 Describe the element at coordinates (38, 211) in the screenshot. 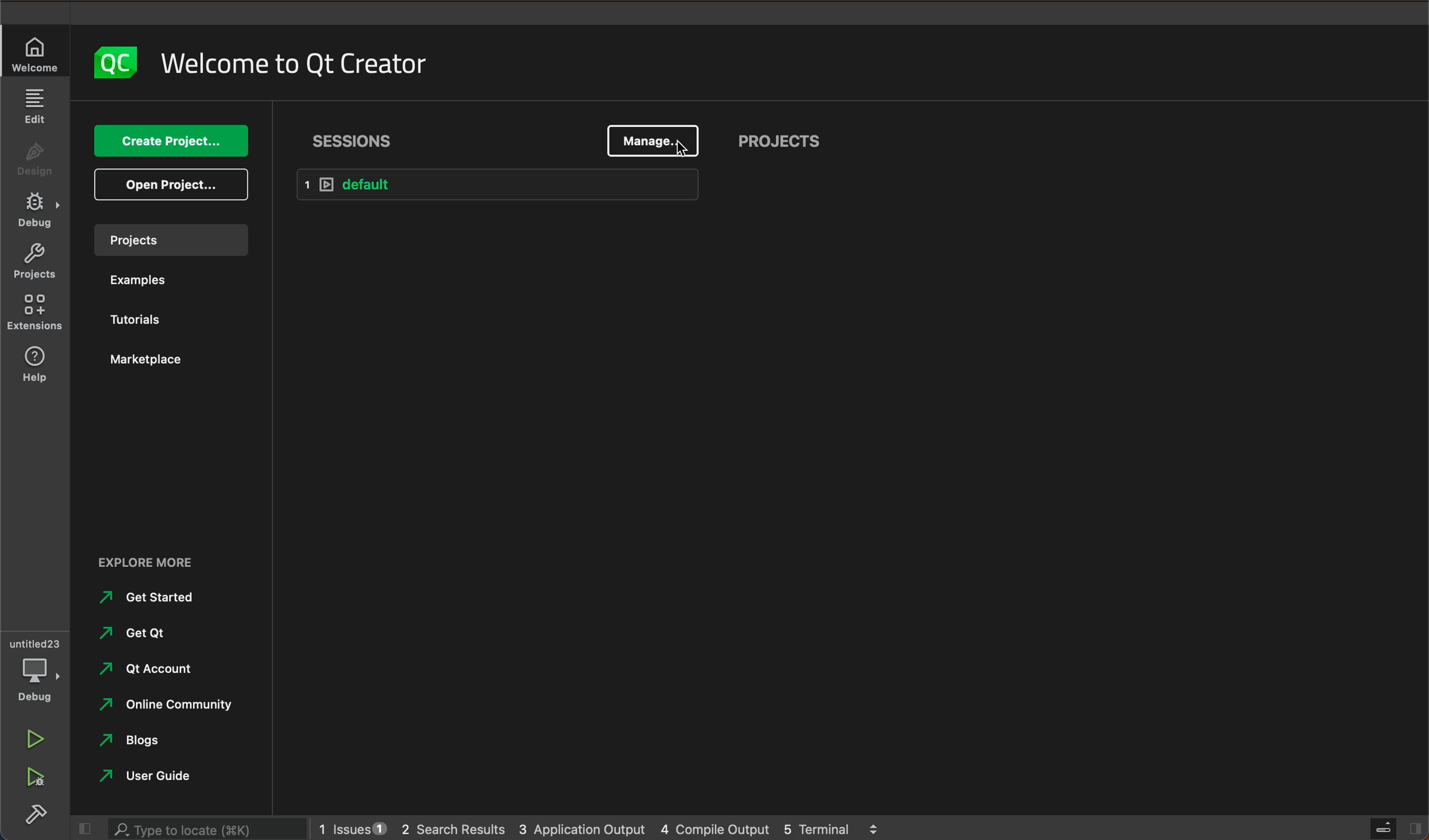

I see `debug` at that location.